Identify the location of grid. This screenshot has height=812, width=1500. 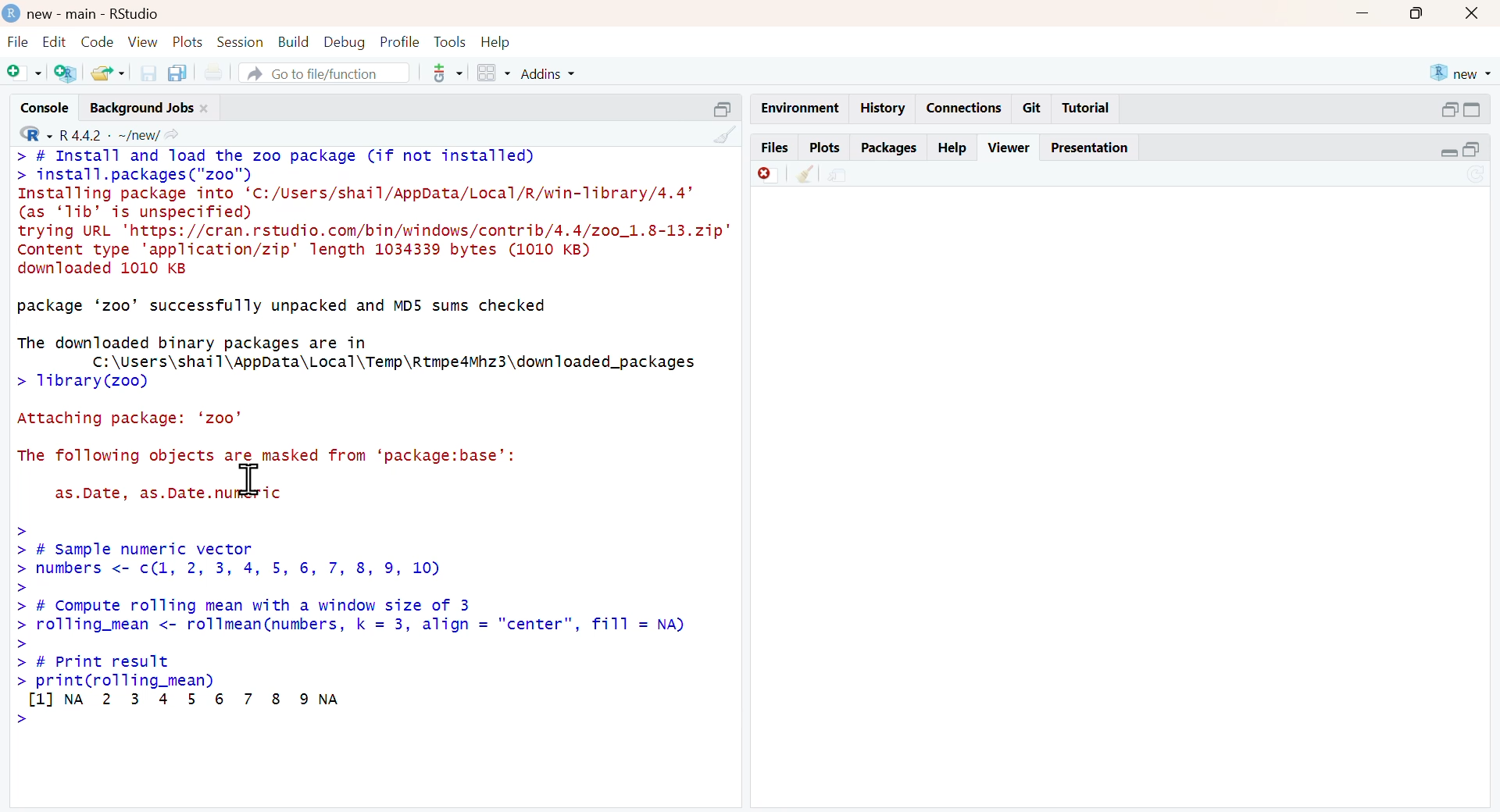
(496, 73).